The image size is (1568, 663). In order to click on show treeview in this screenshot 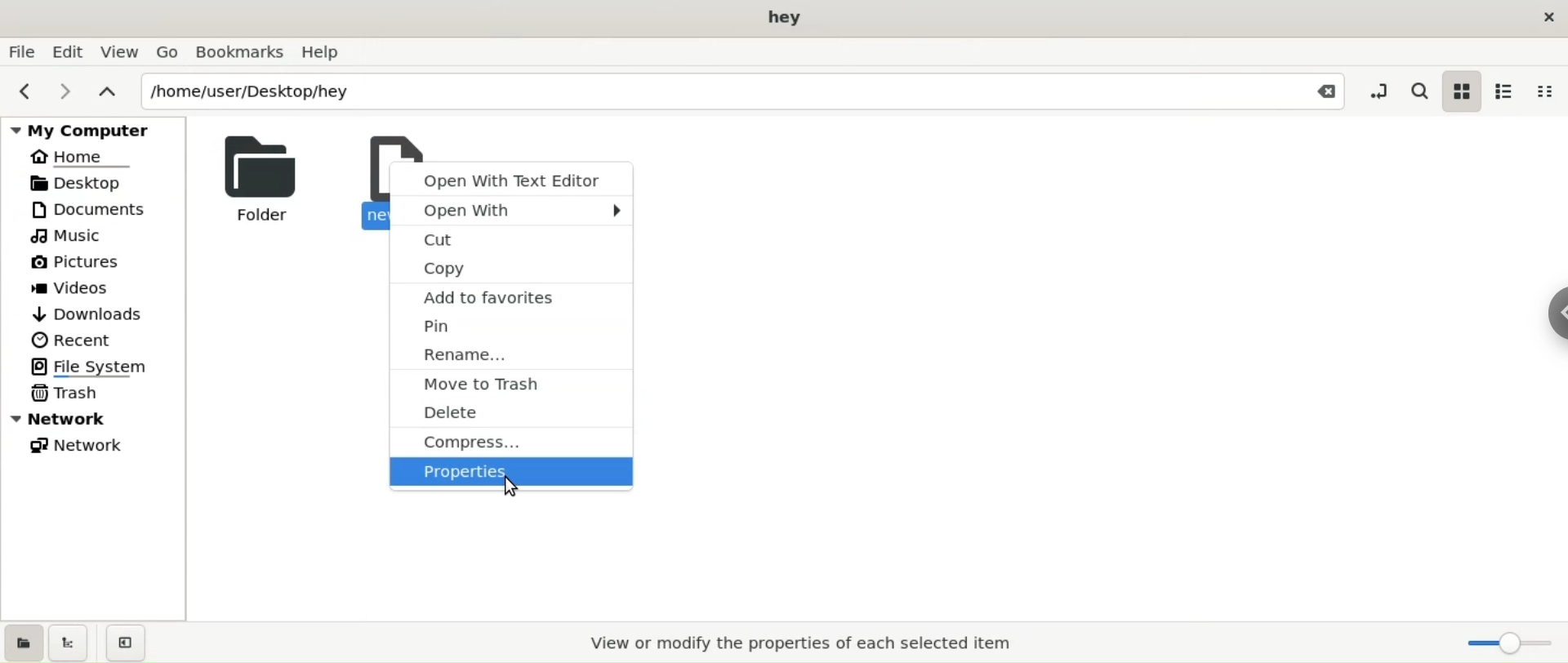, I will do `click(68, 643)`.